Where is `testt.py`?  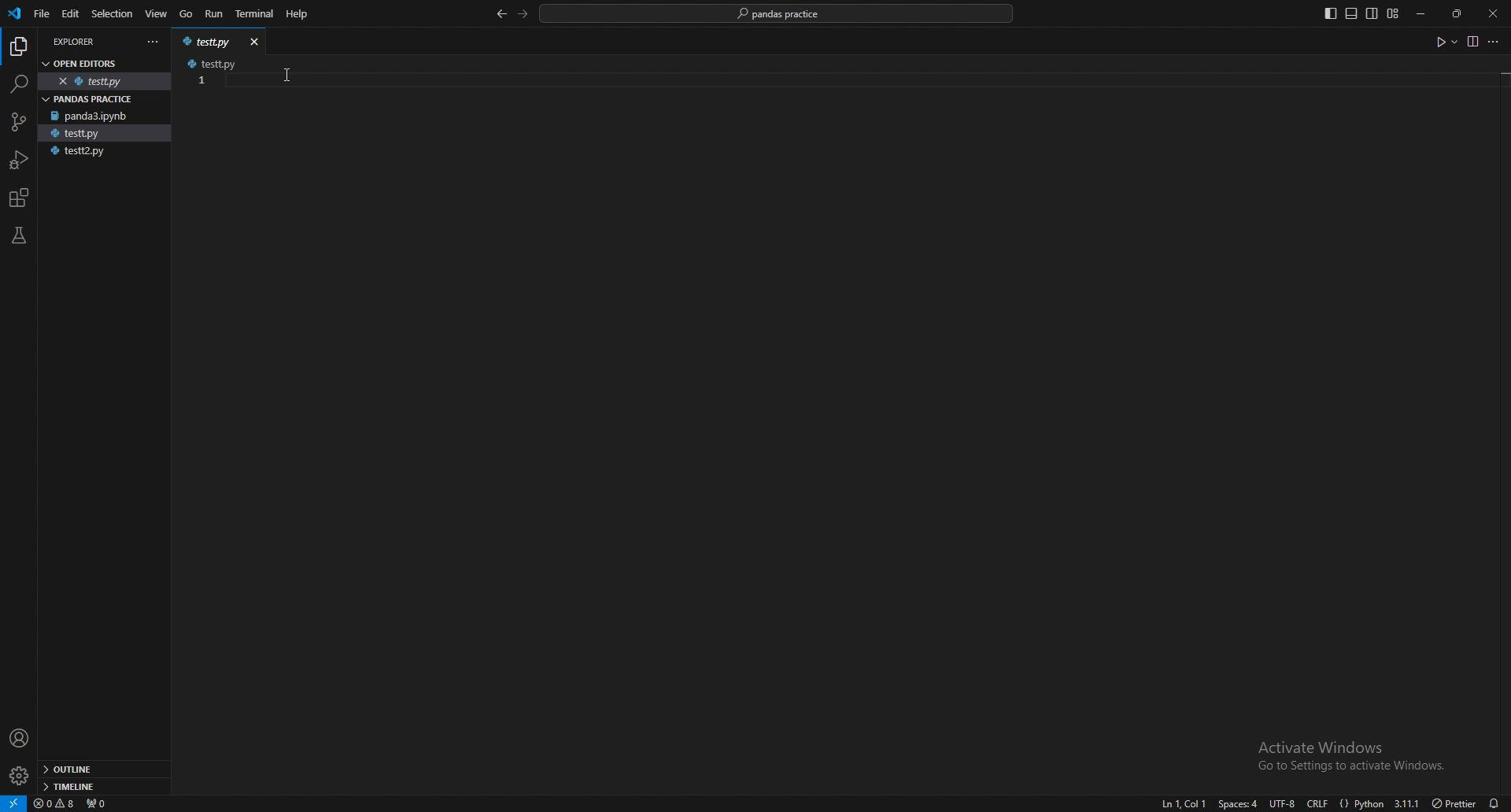 testt.py is located at coordinates (208, 41).